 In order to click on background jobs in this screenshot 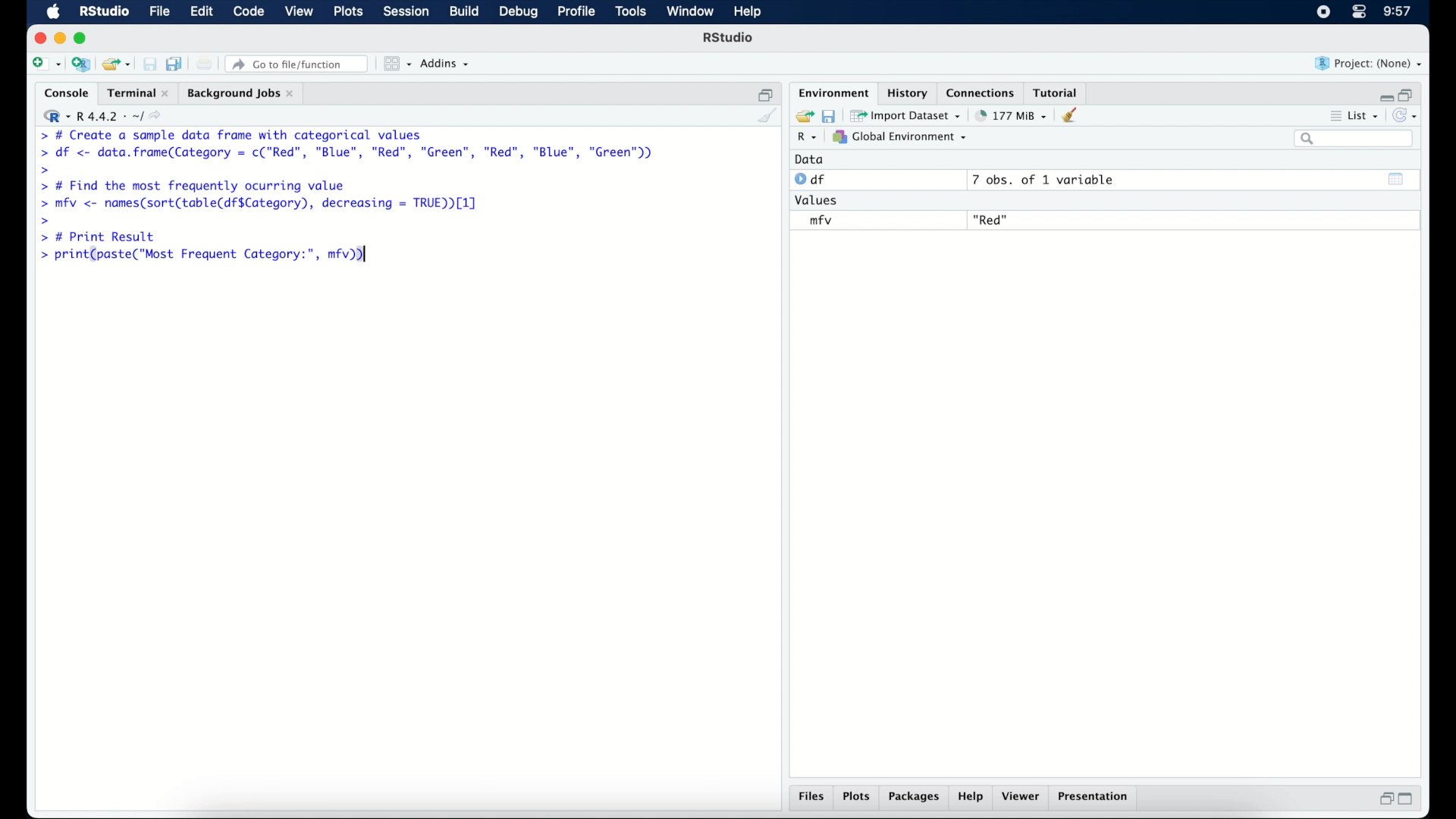, I will do `click(243, 93)`.